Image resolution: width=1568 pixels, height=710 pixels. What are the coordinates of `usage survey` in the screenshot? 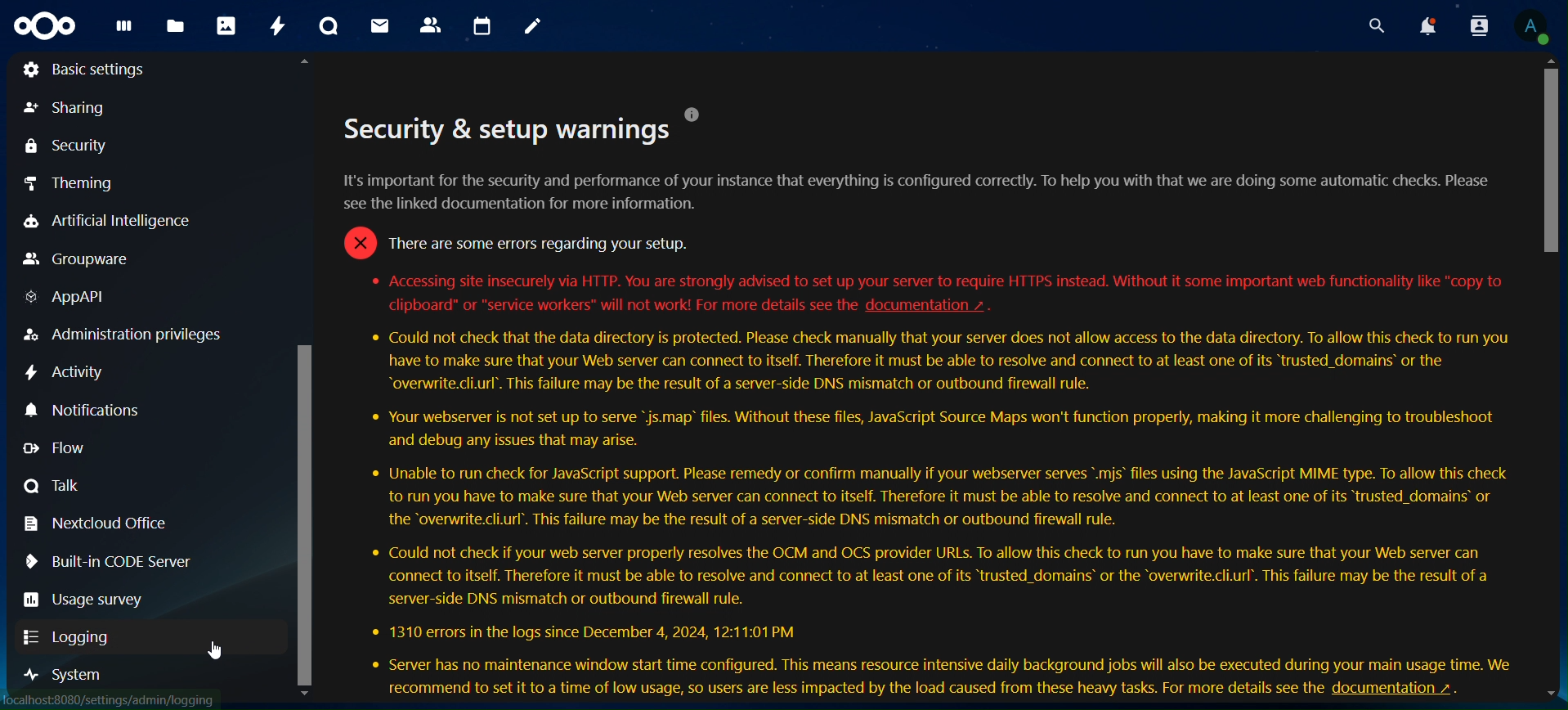 It's located at (85, 600).